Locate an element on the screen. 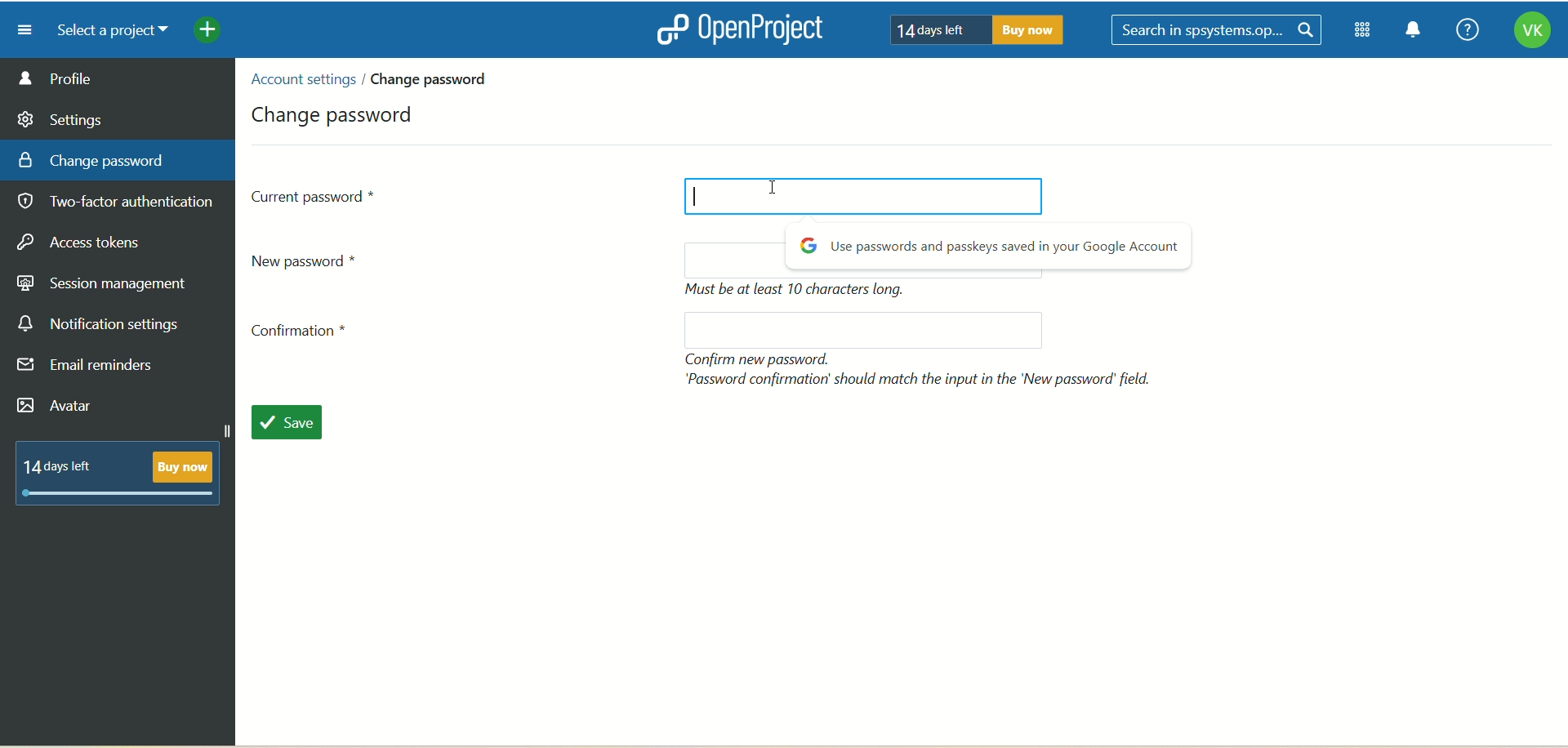  add menu is located at coordinates (209, 32).